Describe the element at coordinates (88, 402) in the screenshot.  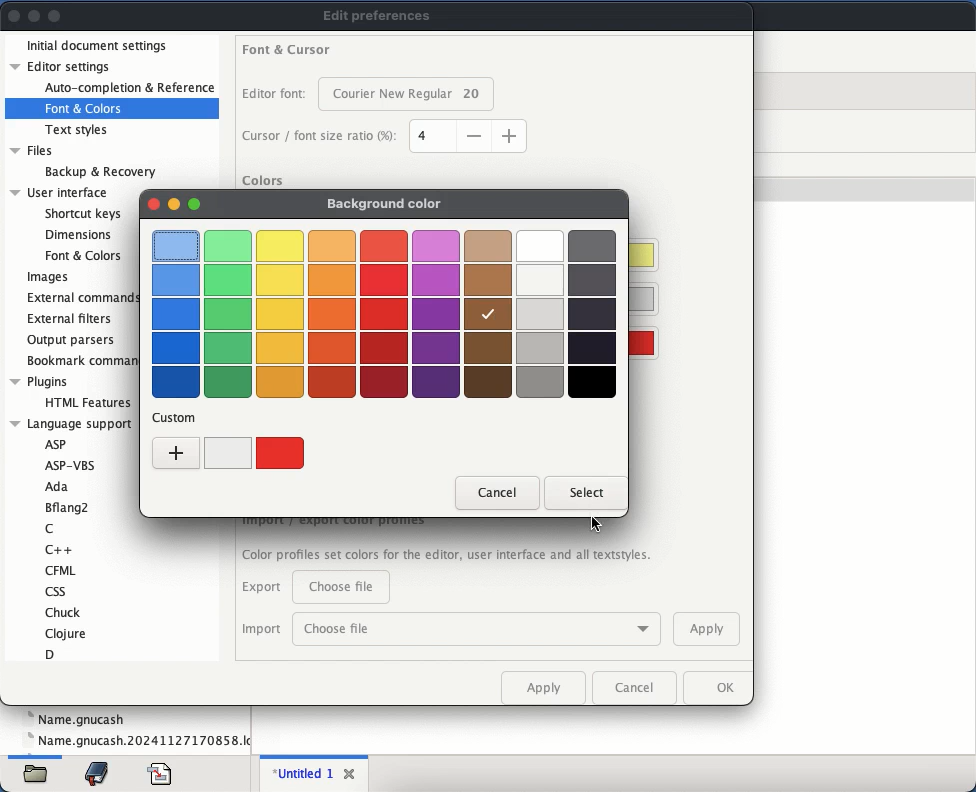
I see `HTML Features` at that location.